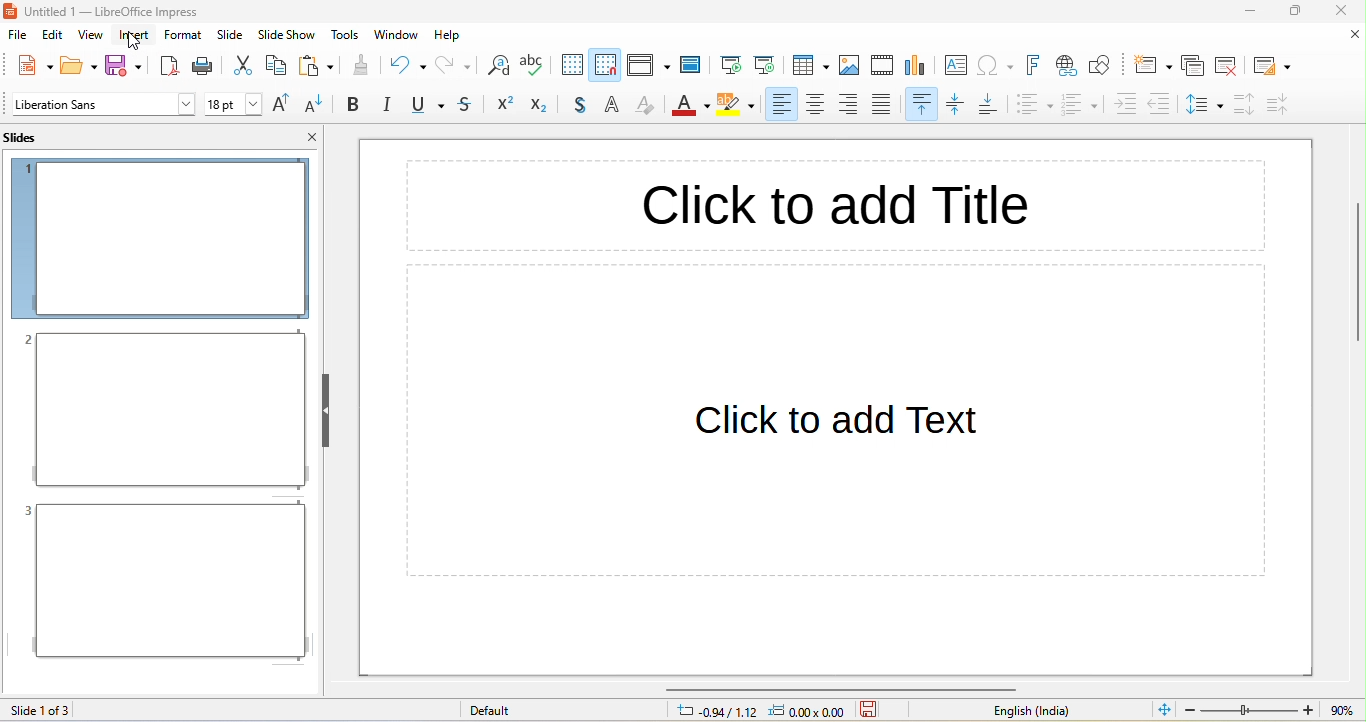 The height and width of the screenshot is (722, 1366). Describe the element at coordinates (168, 64) in the screenshot. I see `export directly as pdf` at that location.